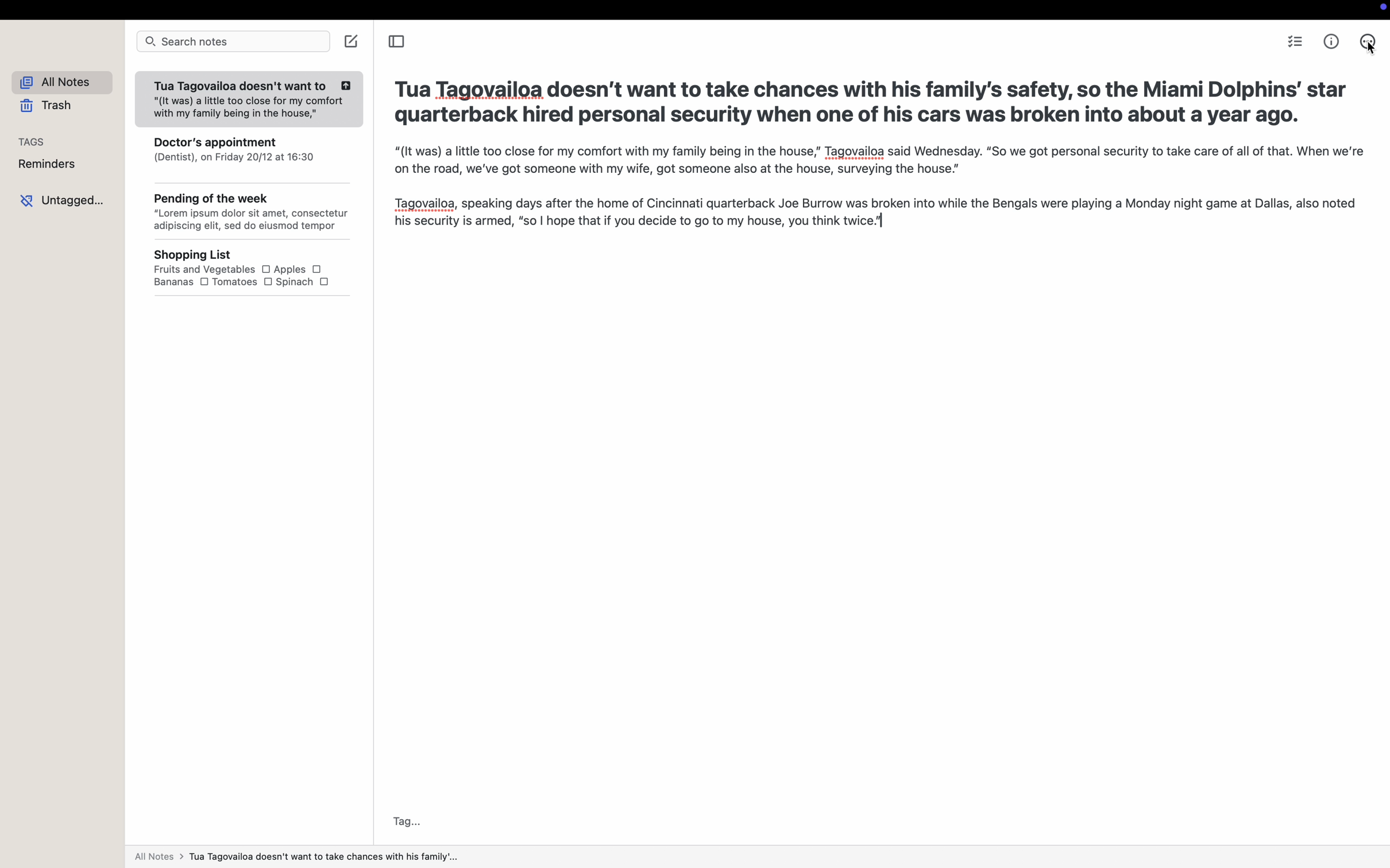 This screenshot has width=1390, height=868. Describe the element at coordinates (315, 857) in the screenshot. I see `All notes > Tua Tagovailoa doesn't want to take with his family` at that location.